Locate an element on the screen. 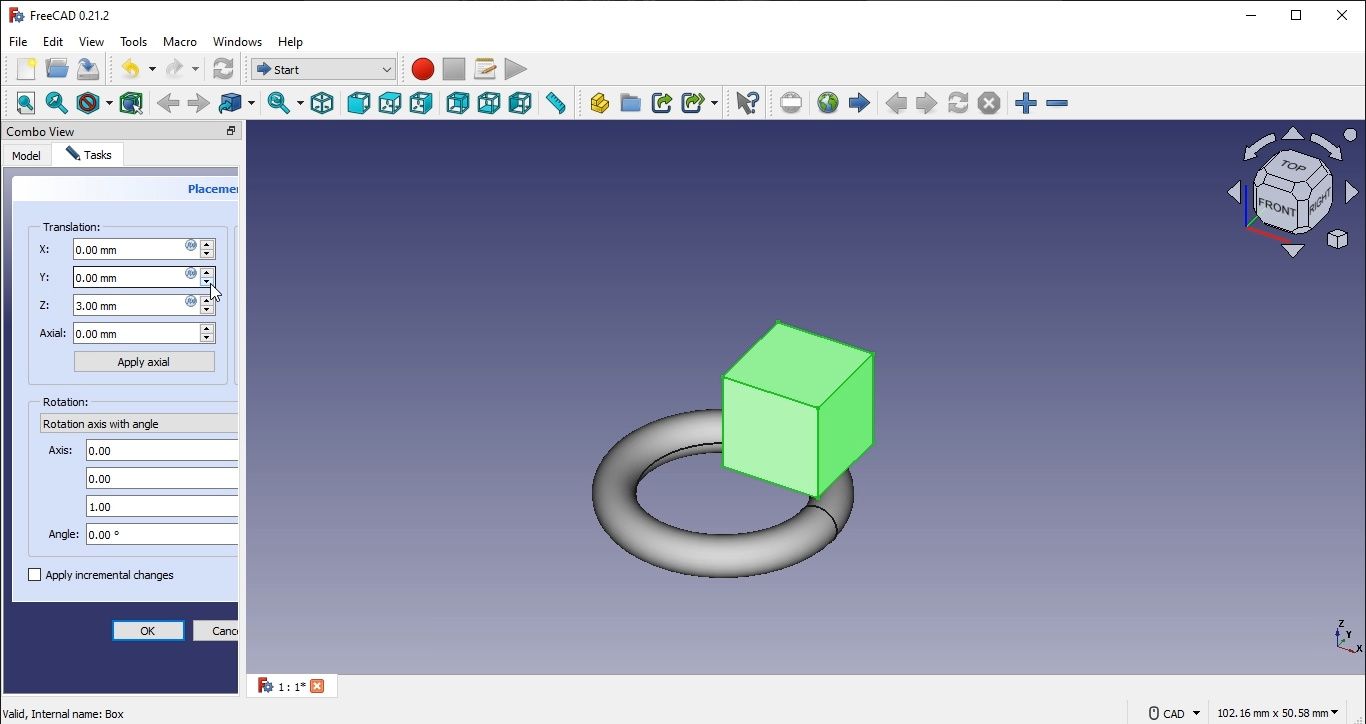  workbench is located at coordinates (223, 68).